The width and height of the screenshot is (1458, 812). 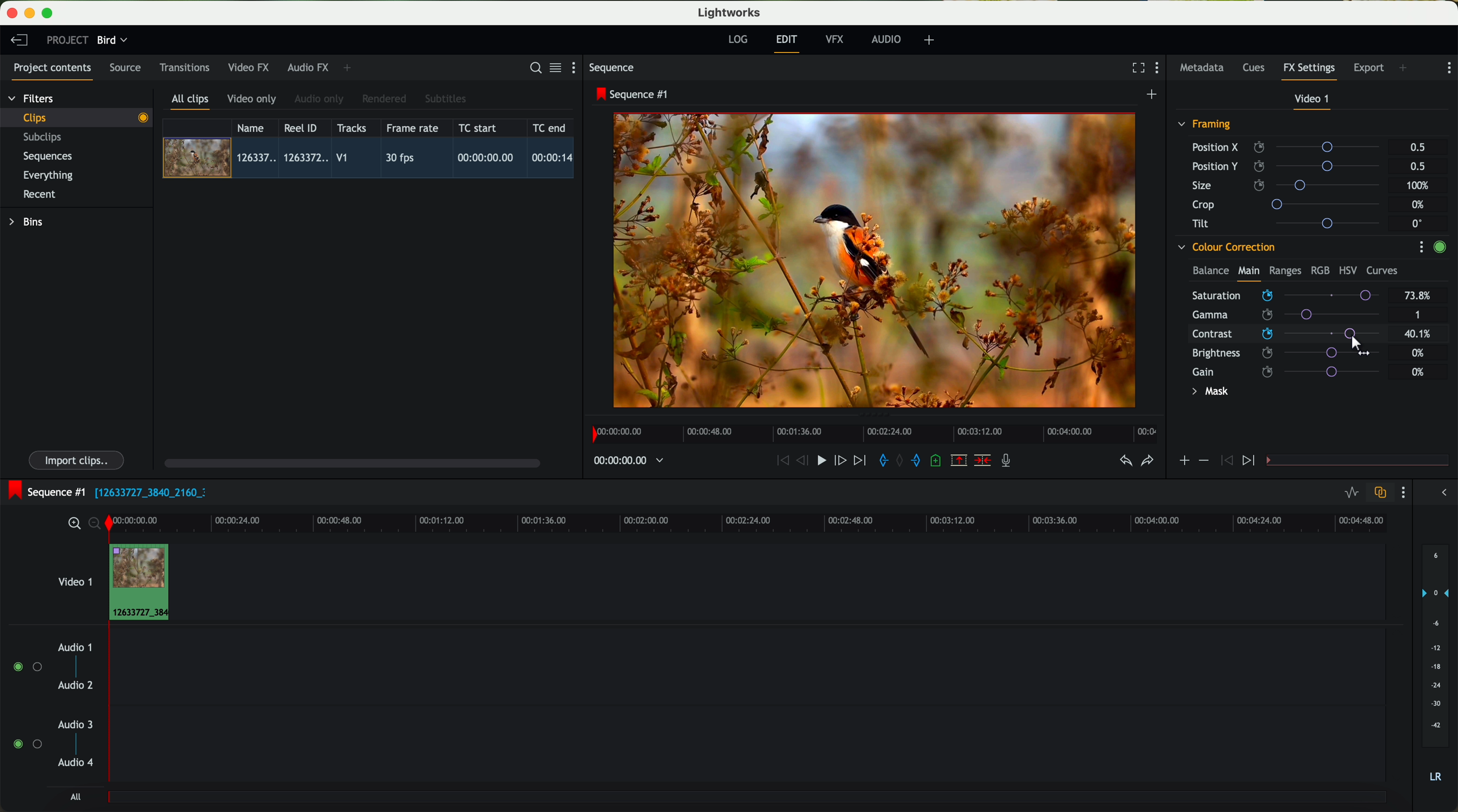 I want to click on rewind, so click(x=782, y=461).